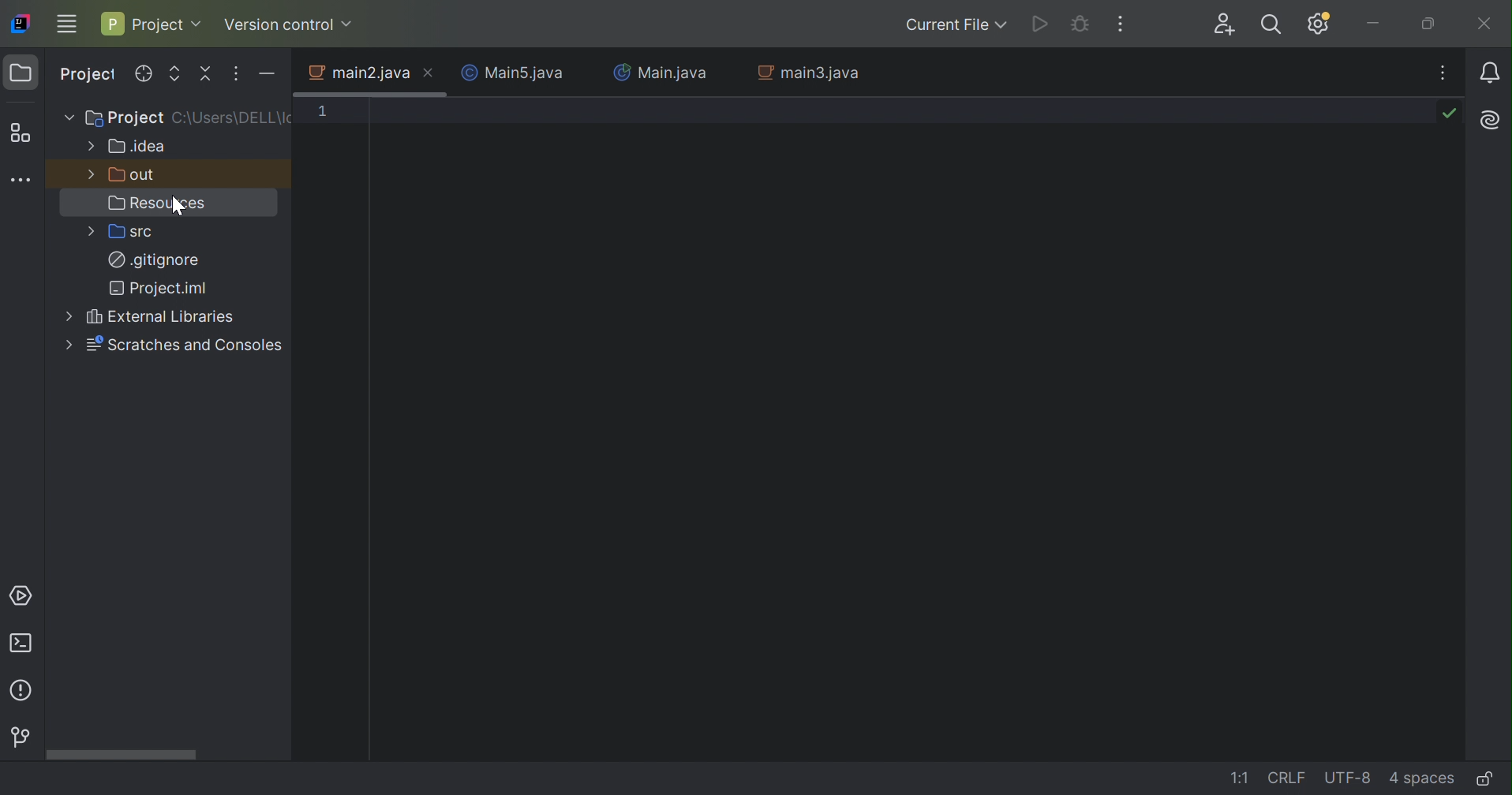 The image size is (1512, 795). Describe the element at coordinates (89, 146) in the screenshot. I see `More` at that location.